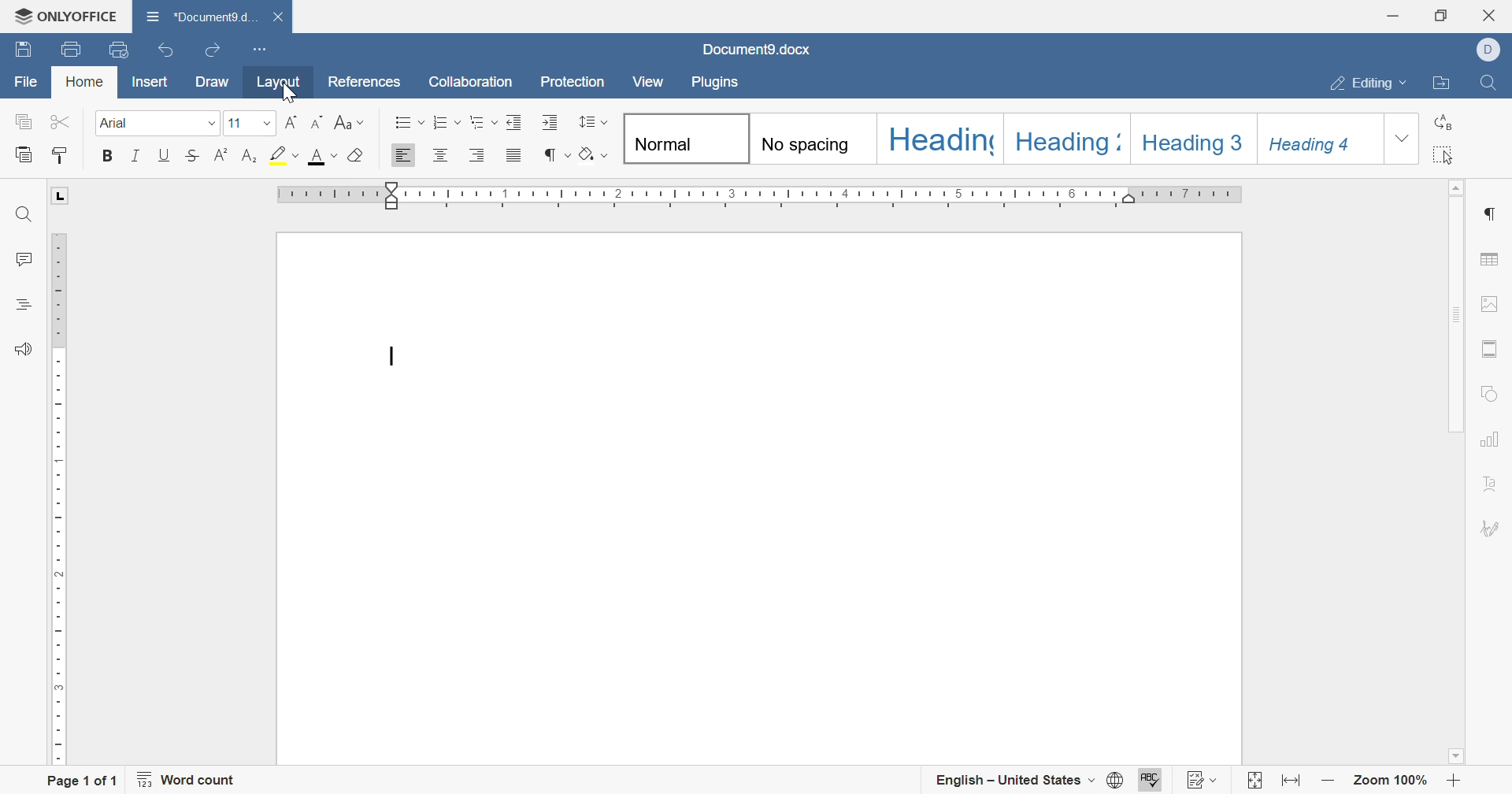 This screenshot has height=794, width=1512. I want to click on subscript, so click(250, 155).